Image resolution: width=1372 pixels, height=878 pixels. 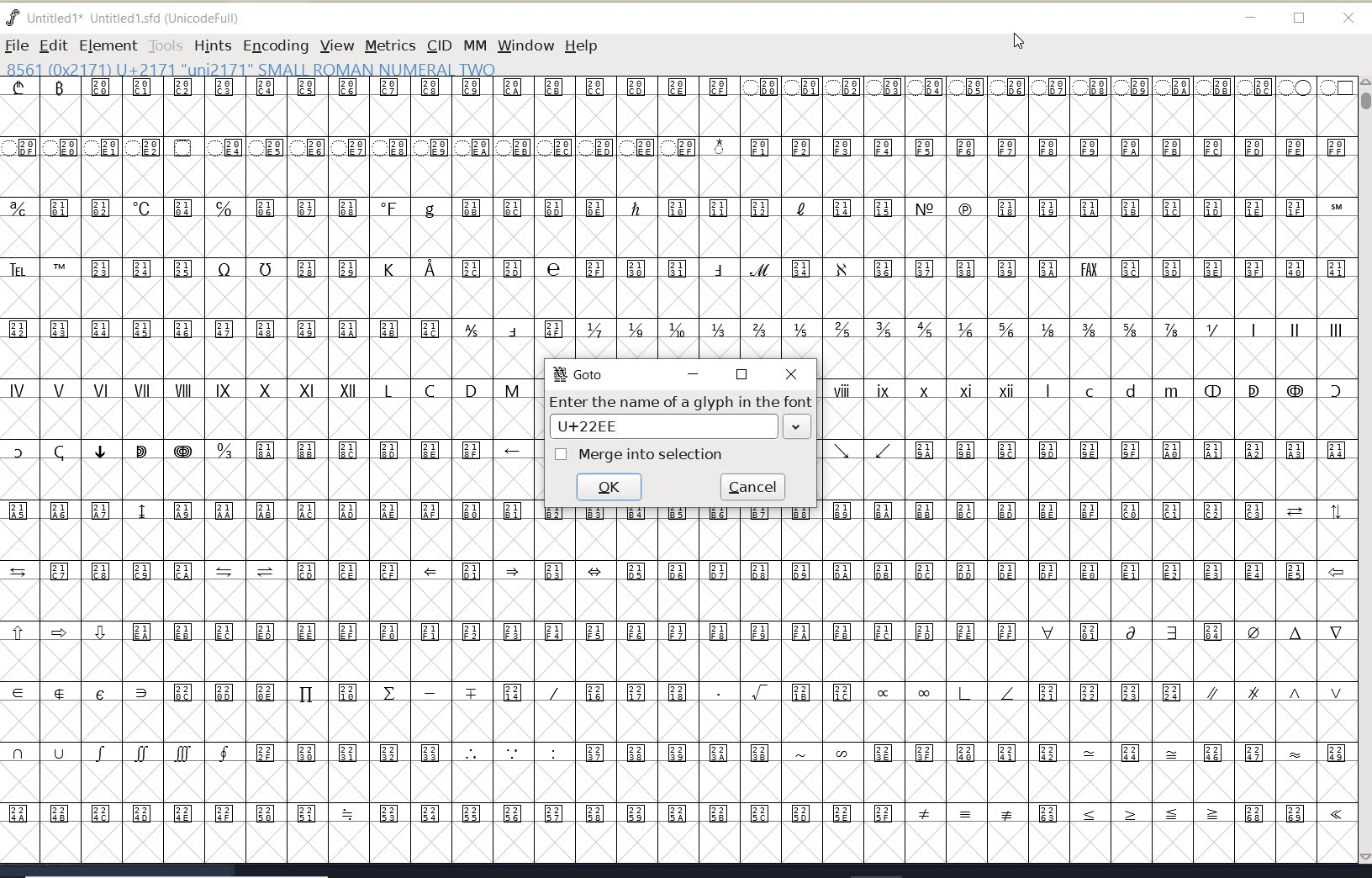 I want to click on GoTo, so click(x=577, y=373).